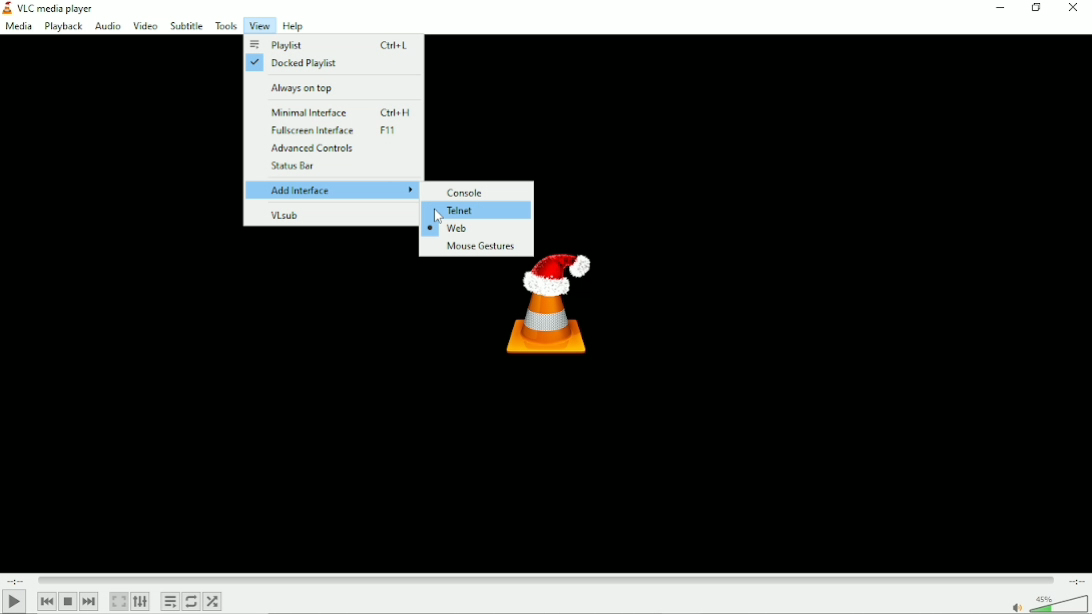 The height and width of the screenshot is (614, 1092). I want to click on Status bar, so click(295, 167).